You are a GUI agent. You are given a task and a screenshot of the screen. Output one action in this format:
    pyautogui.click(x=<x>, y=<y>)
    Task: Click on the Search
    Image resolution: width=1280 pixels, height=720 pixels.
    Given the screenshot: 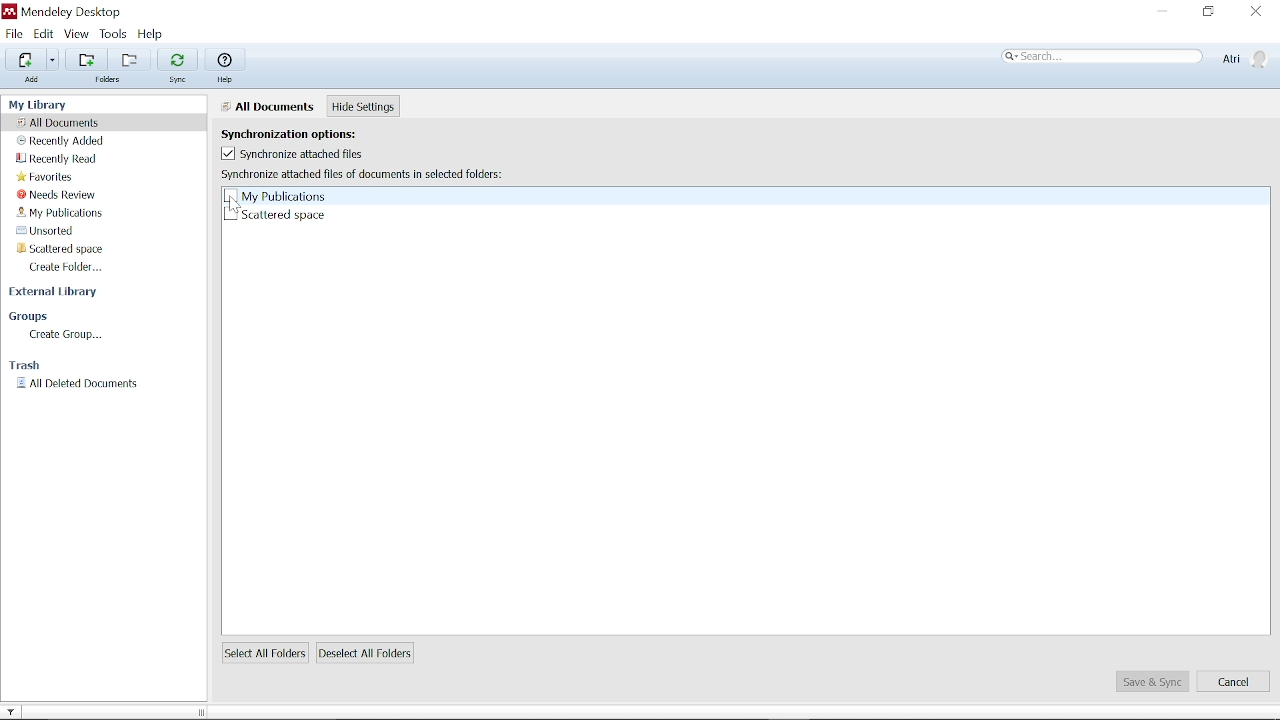 What is the action you would take?
    pyautogui.click(x=1103, y=57)
    